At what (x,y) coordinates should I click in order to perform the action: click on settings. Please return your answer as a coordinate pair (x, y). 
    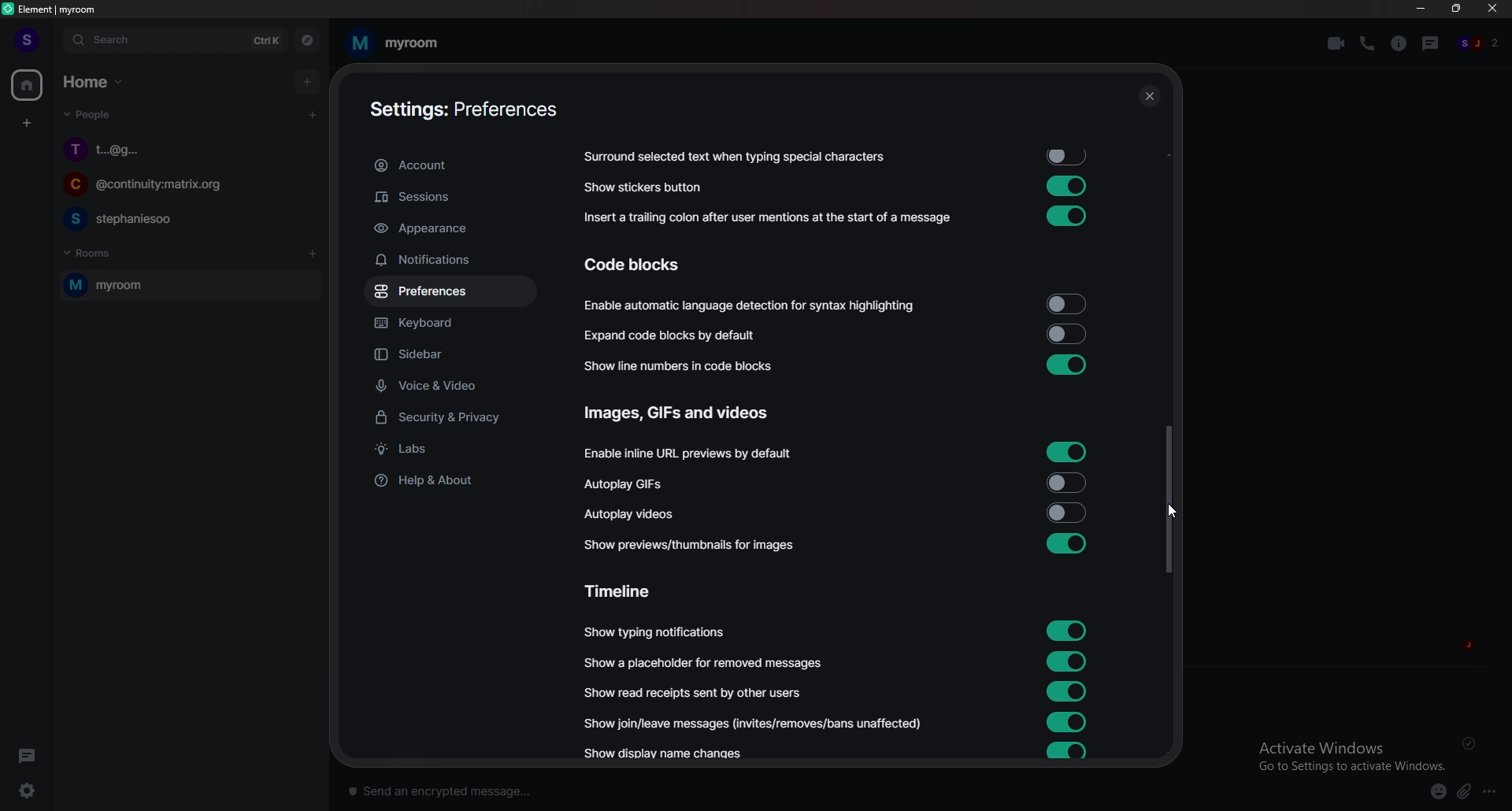
    Looking at the image, I should click on (36, 791).